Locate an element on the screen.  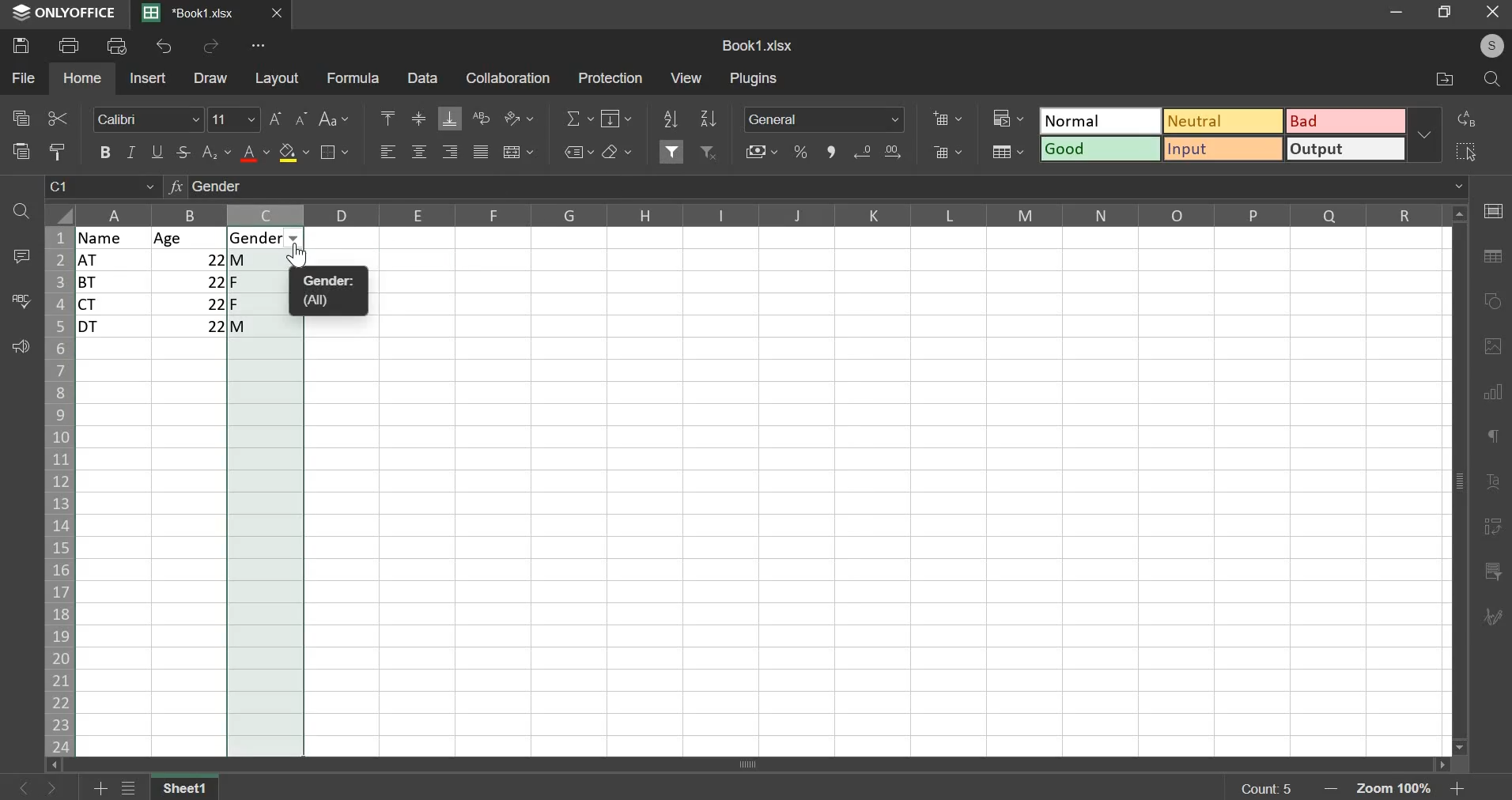
sum is located at coordinates (581, 118).